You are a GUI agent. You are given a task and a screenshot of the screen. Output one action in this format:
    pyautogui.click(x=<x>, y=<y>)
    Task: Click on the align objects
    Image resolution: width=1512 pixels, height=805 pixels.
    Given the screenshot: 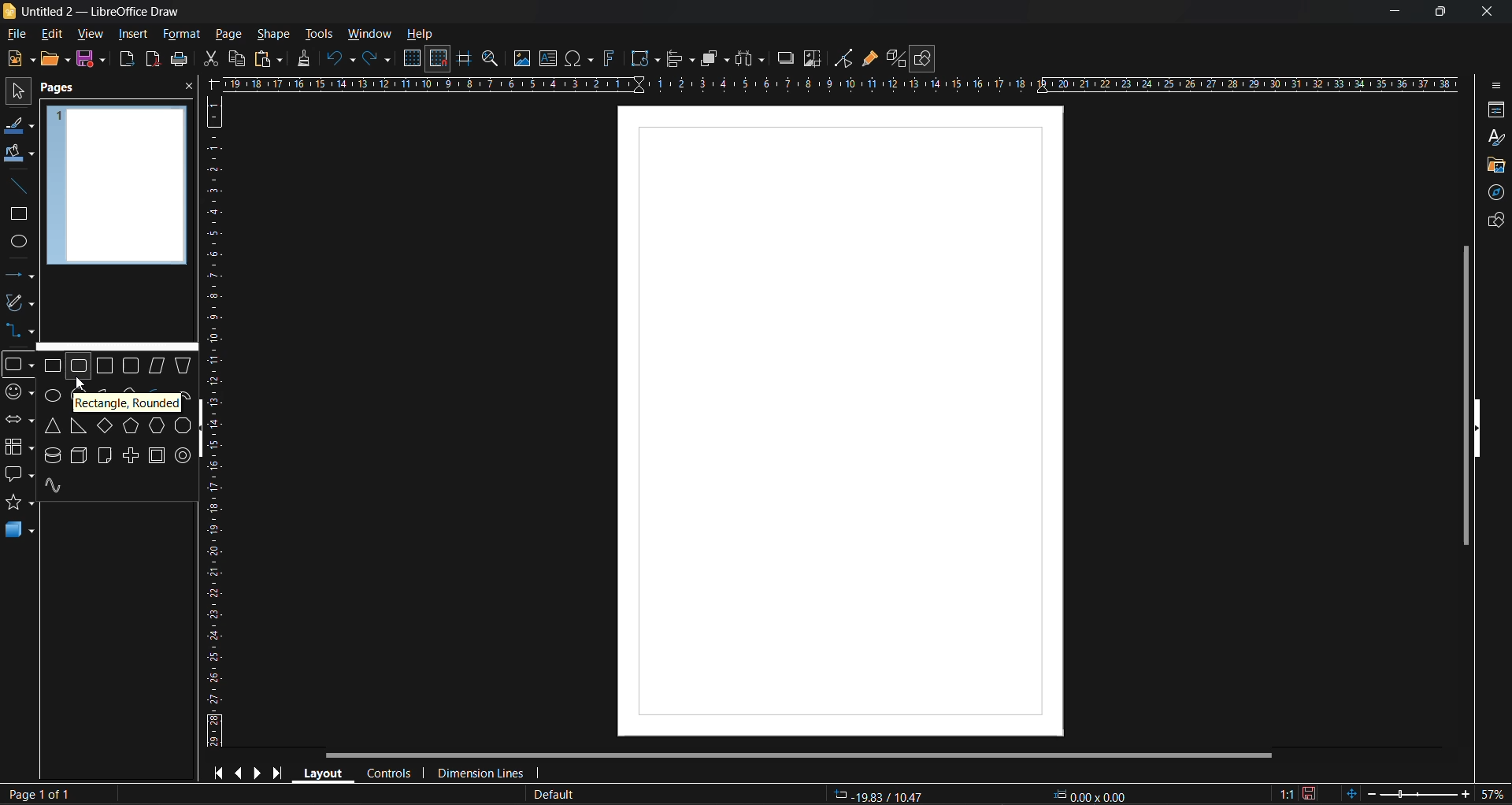 What is the action you would take?
    pyautogui.click(x=682, y=61)
    